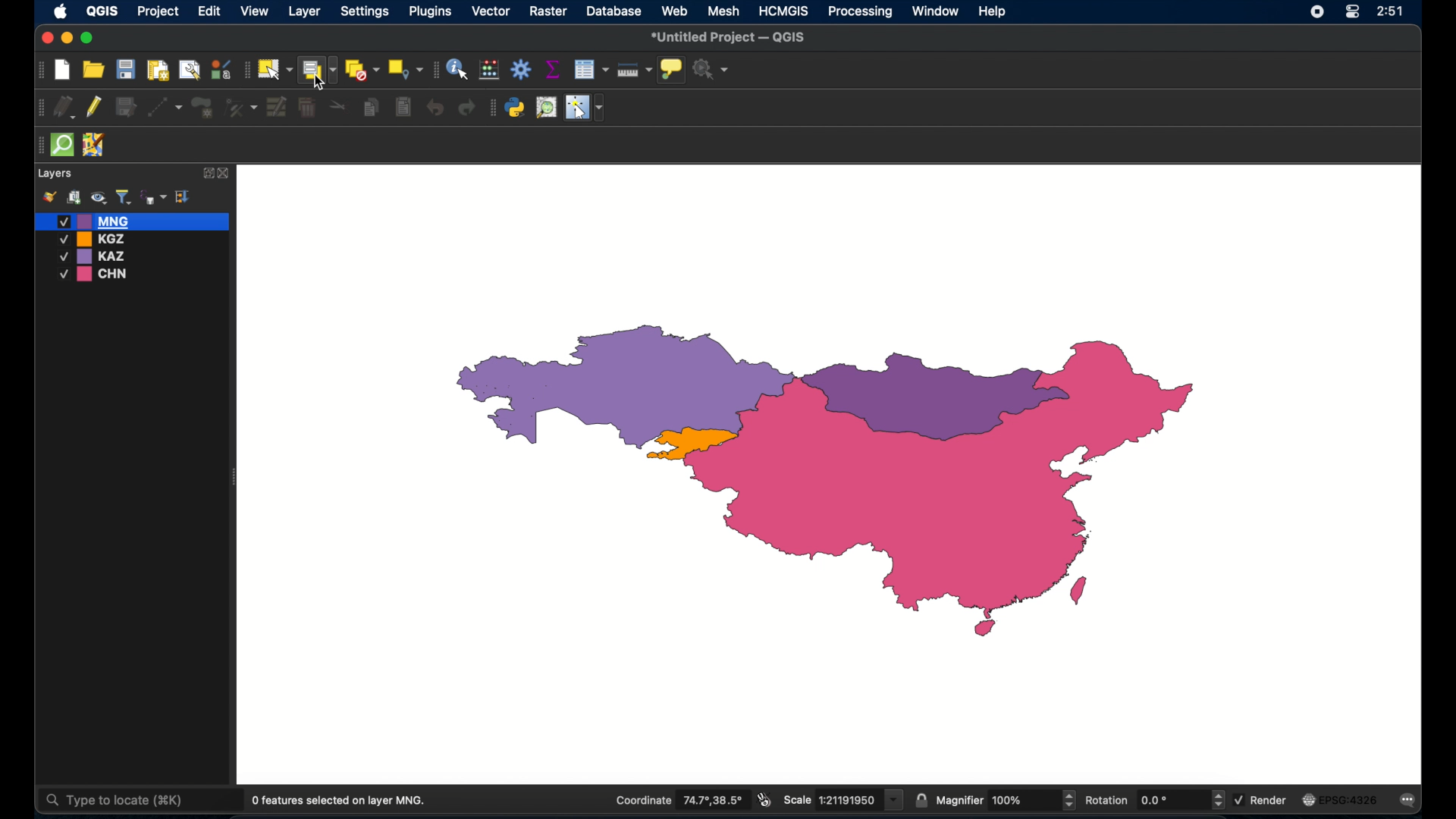  What do you see at coordinates (206, 173) in the screenshot?
I see `expand` at bounding box center [206, 173].